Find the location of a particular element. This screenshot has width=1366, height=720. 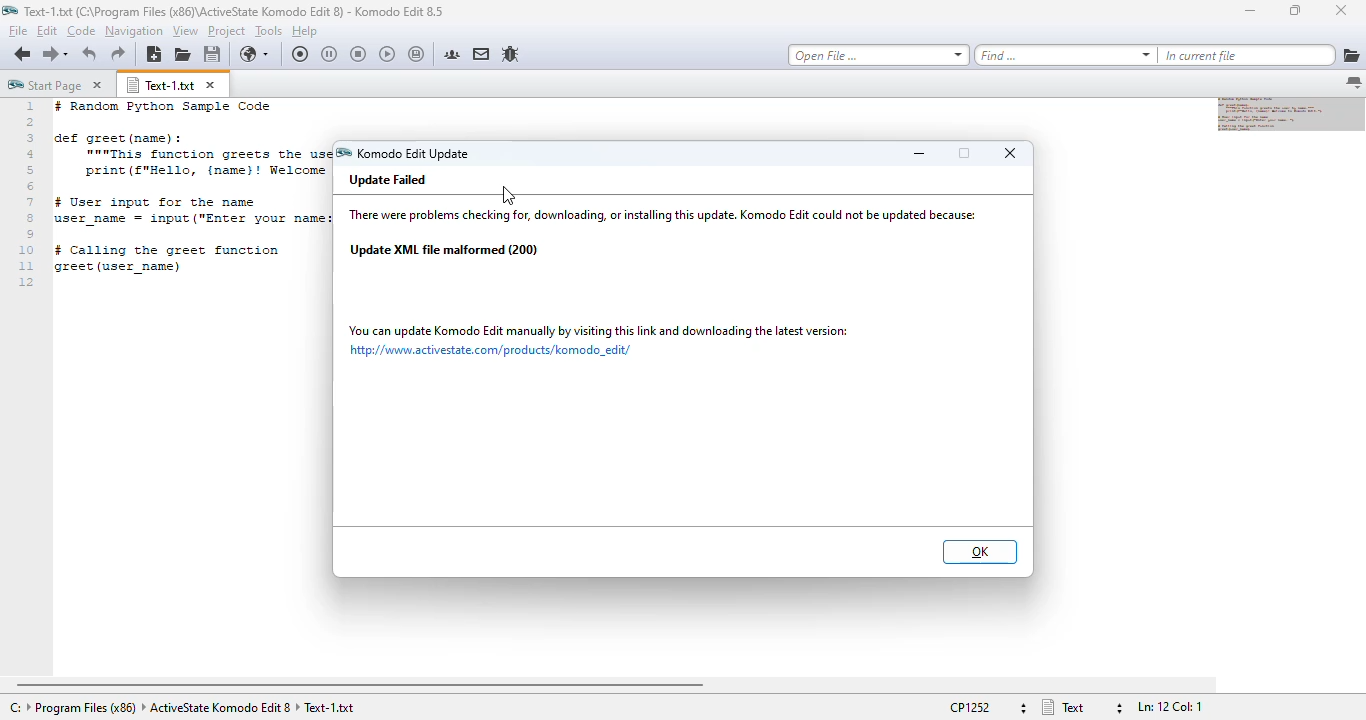

komodo community is located at coordinates (452, 53).